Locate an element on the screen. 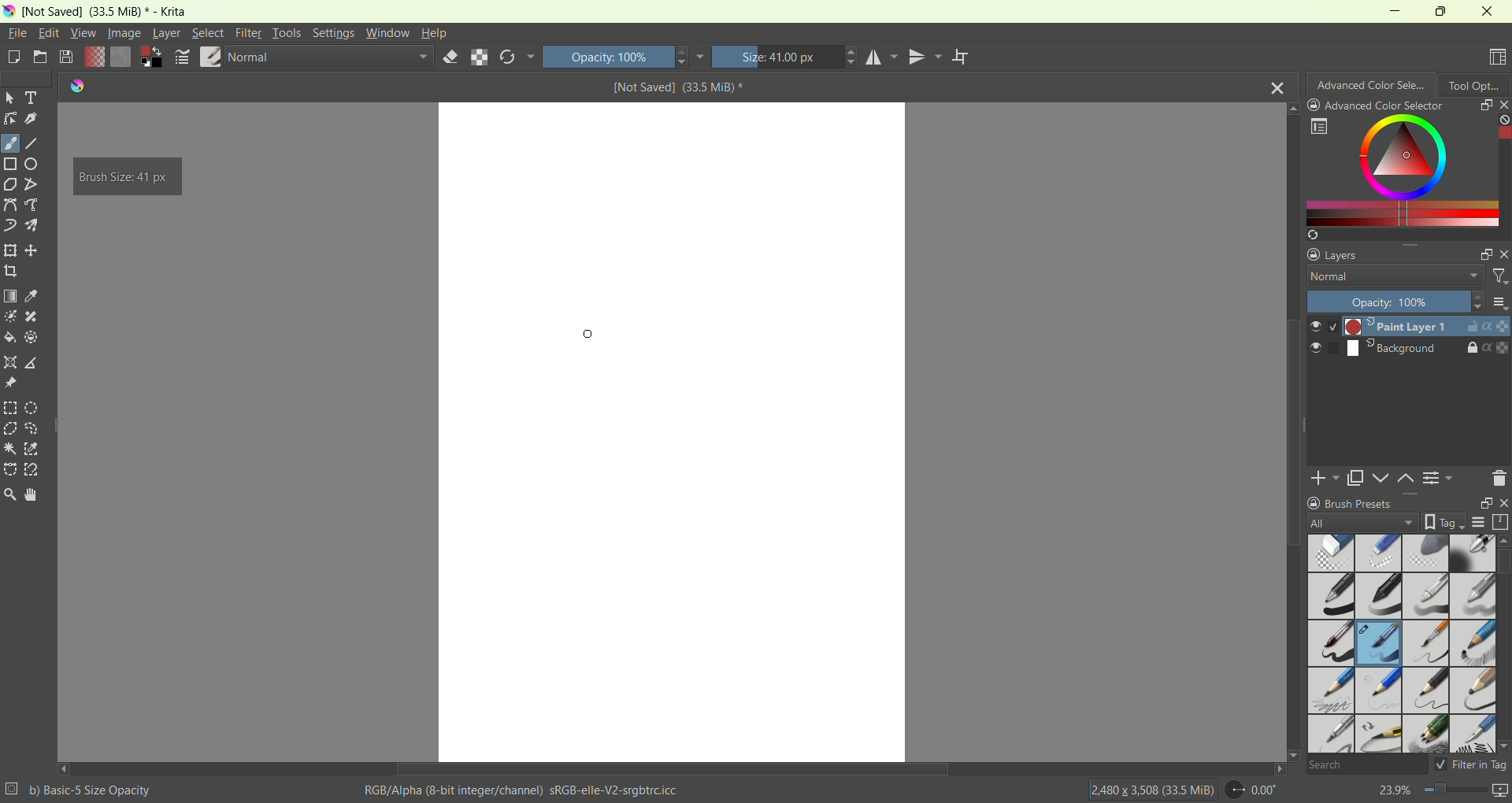 This screenshot has height=803, width=1512. basic 4 is located at coordinates (1473, 594).